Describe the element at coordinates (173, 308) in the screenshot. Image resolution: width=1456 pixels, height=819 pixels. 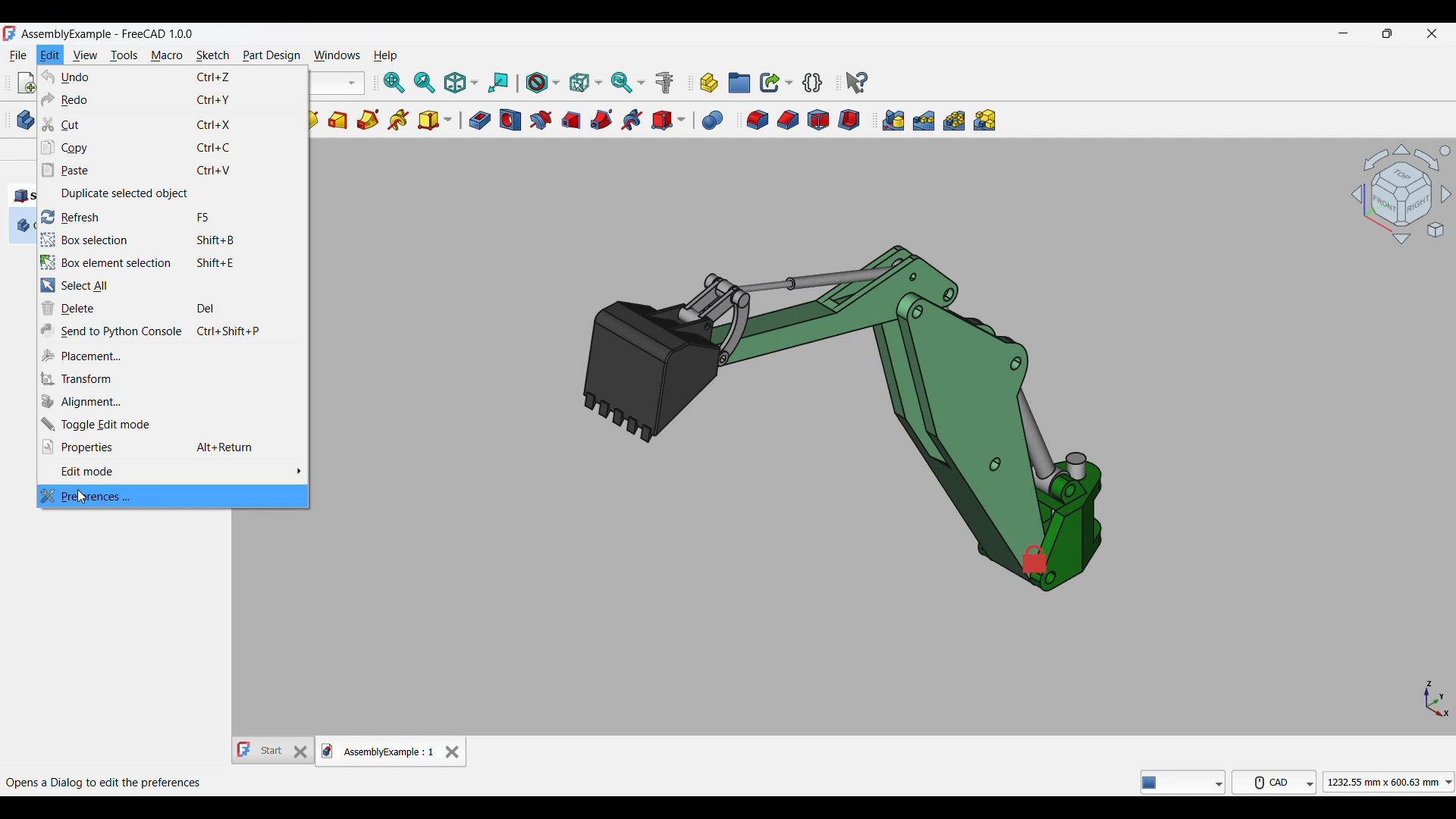
I see `Delete` at that location.